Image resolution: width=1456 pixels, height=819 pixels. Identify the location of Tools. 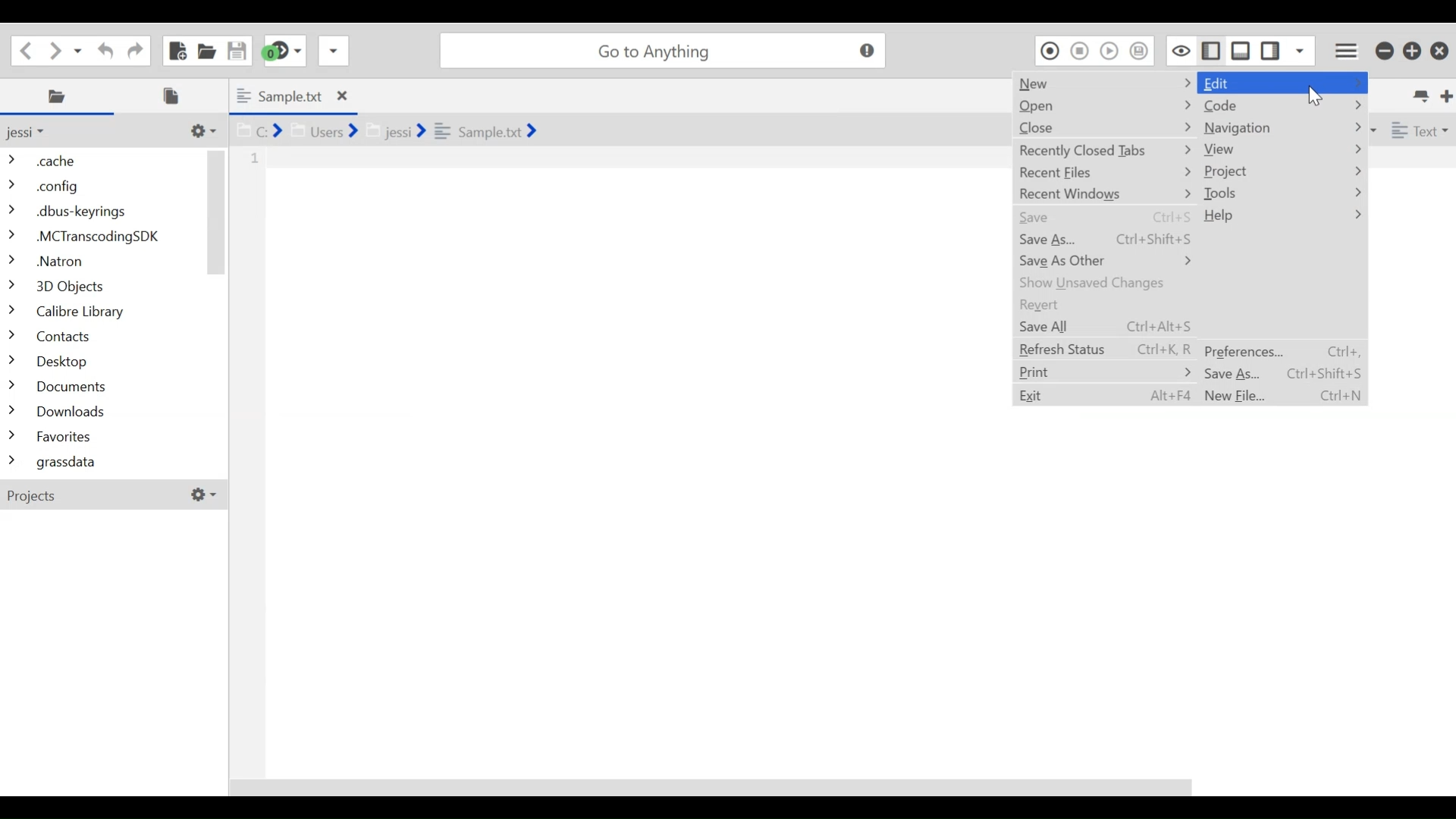
(1282, 194).